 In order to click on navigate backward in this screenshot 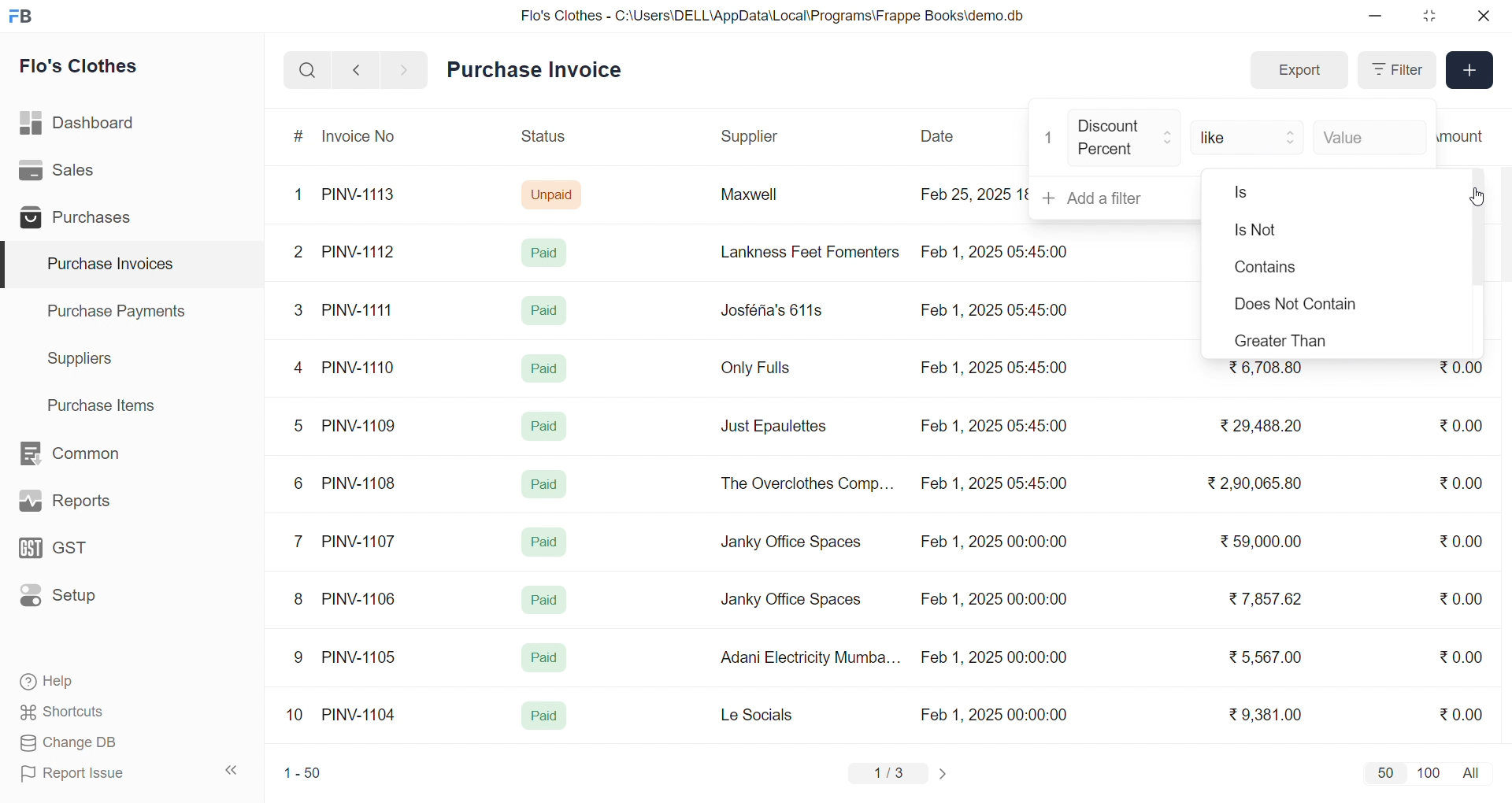, I will do `click(356, 69)`.